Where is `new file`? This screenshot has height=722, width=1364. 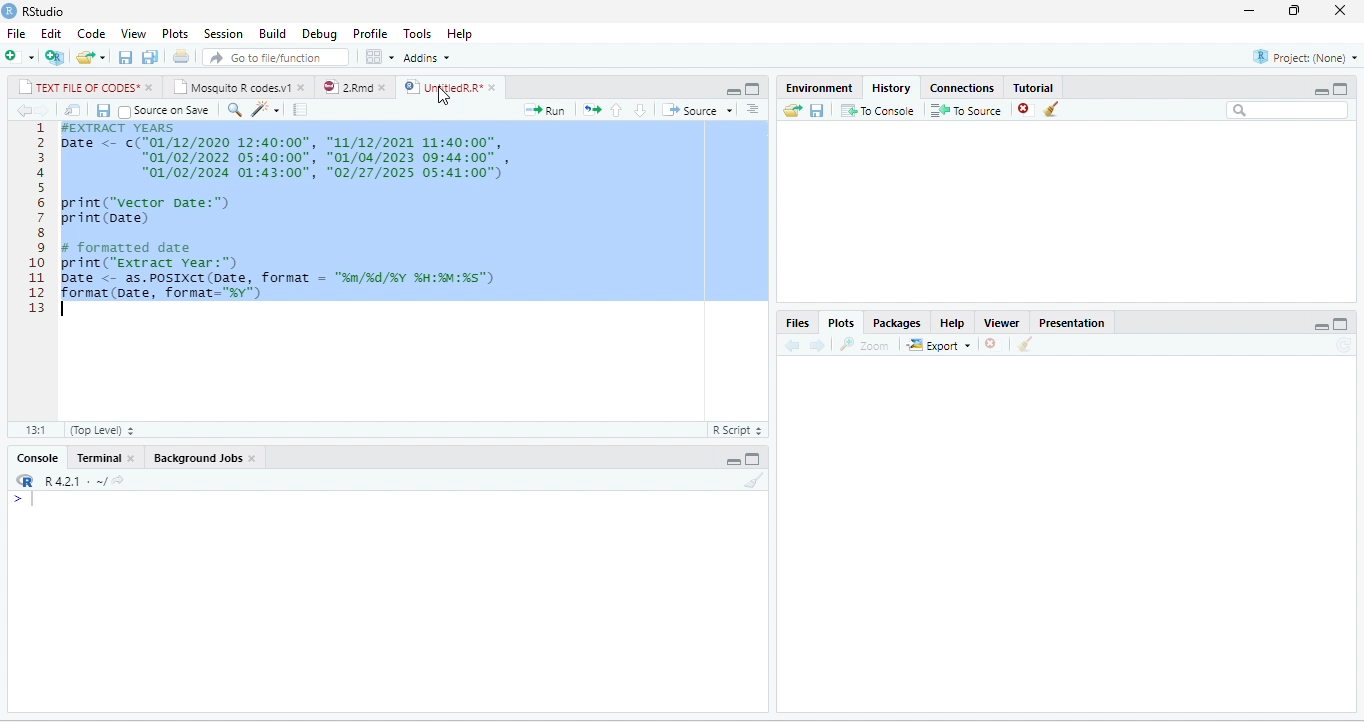 new file is located at coordinates (20, 57).